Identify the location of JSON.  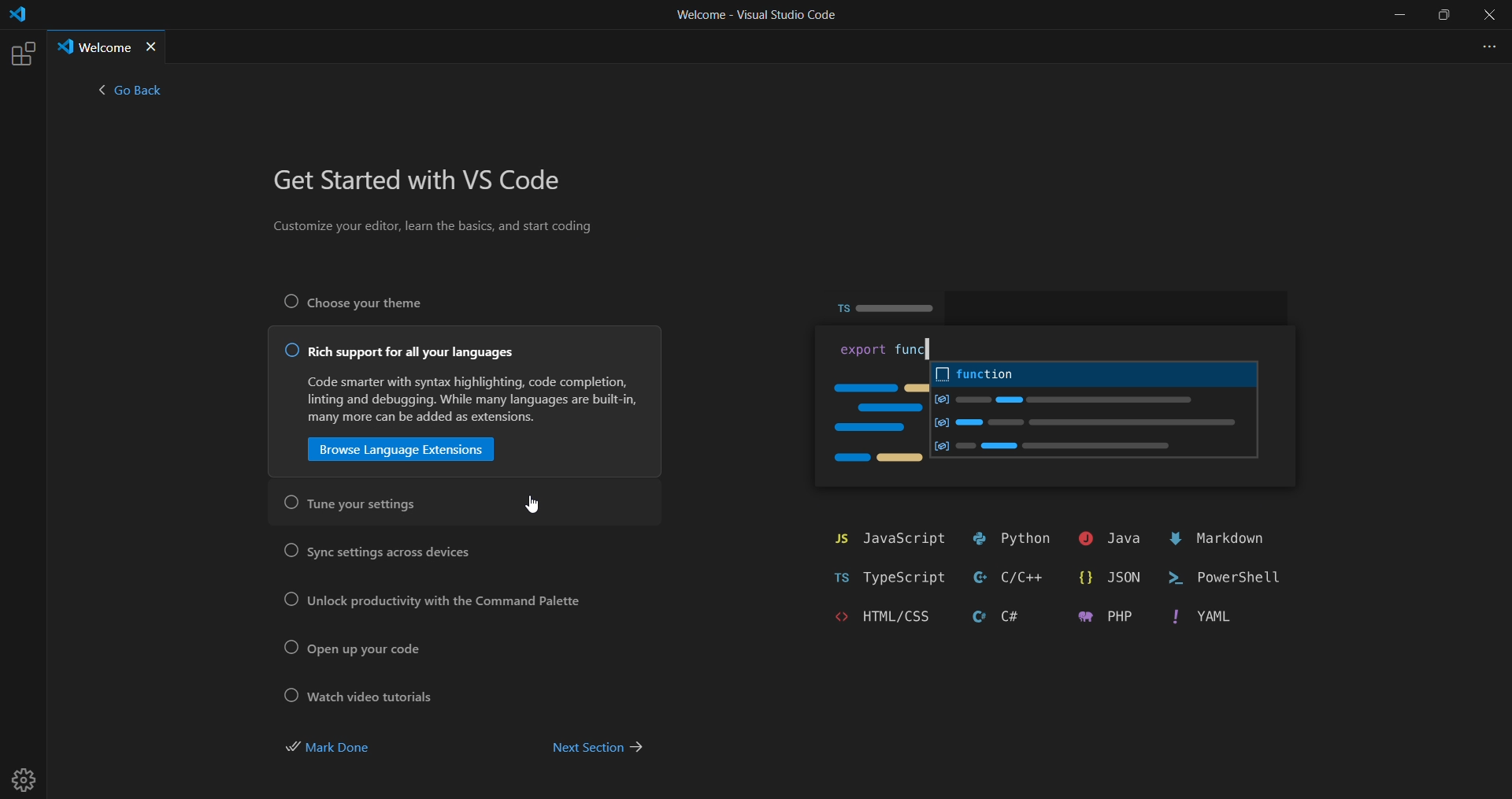
(1110, 580).